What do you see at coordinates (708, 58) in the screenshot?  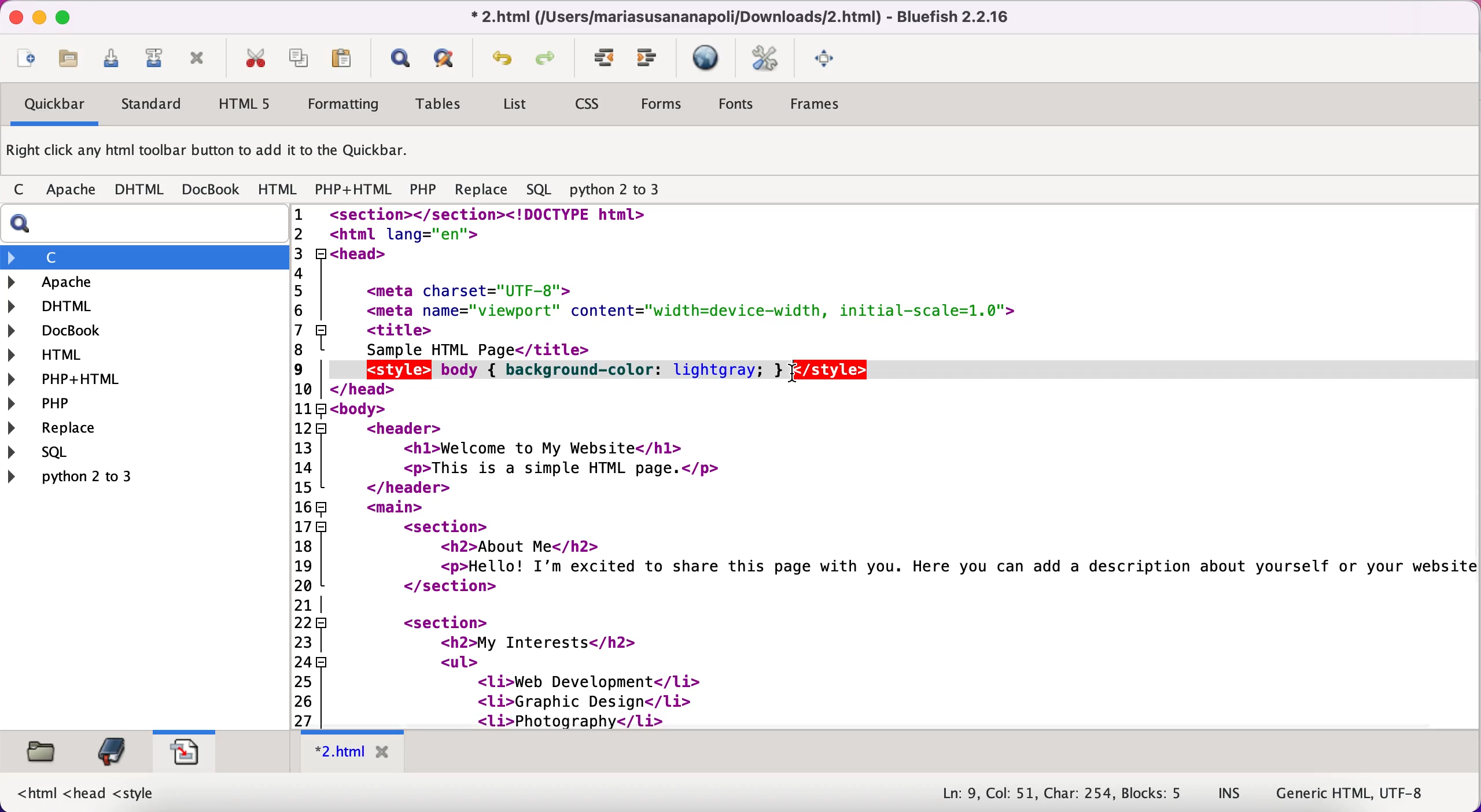 I see `preview in browser` at bounding box center [708, 58].